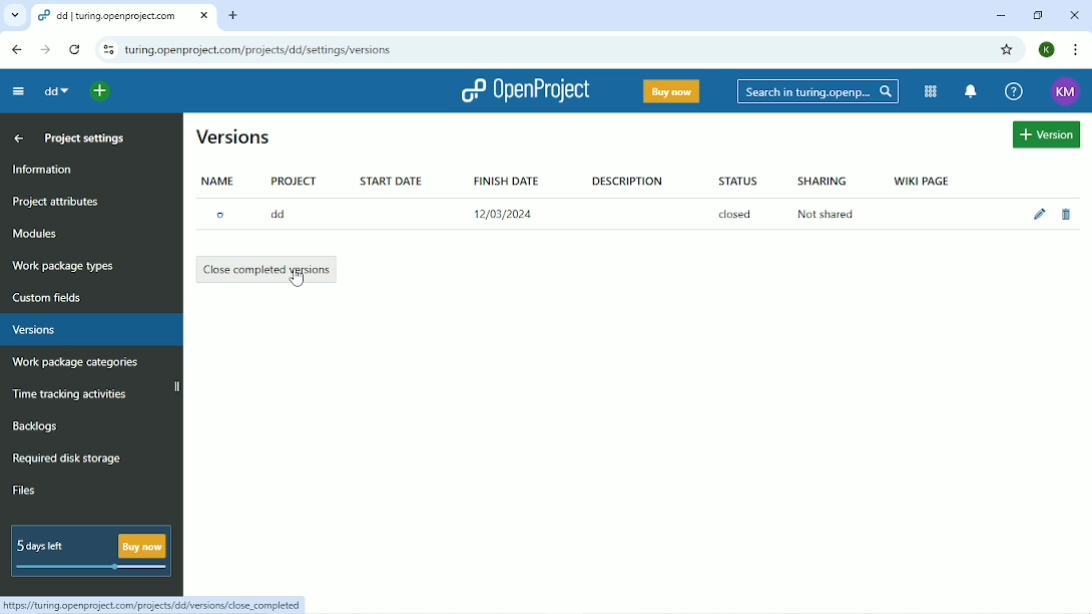 Image resolution: width=1092 pixels, height=614 pixels. What do you see at coordinates (737, 214) in the screenshot?
I see `Closed` at bounding box center [737, 214].